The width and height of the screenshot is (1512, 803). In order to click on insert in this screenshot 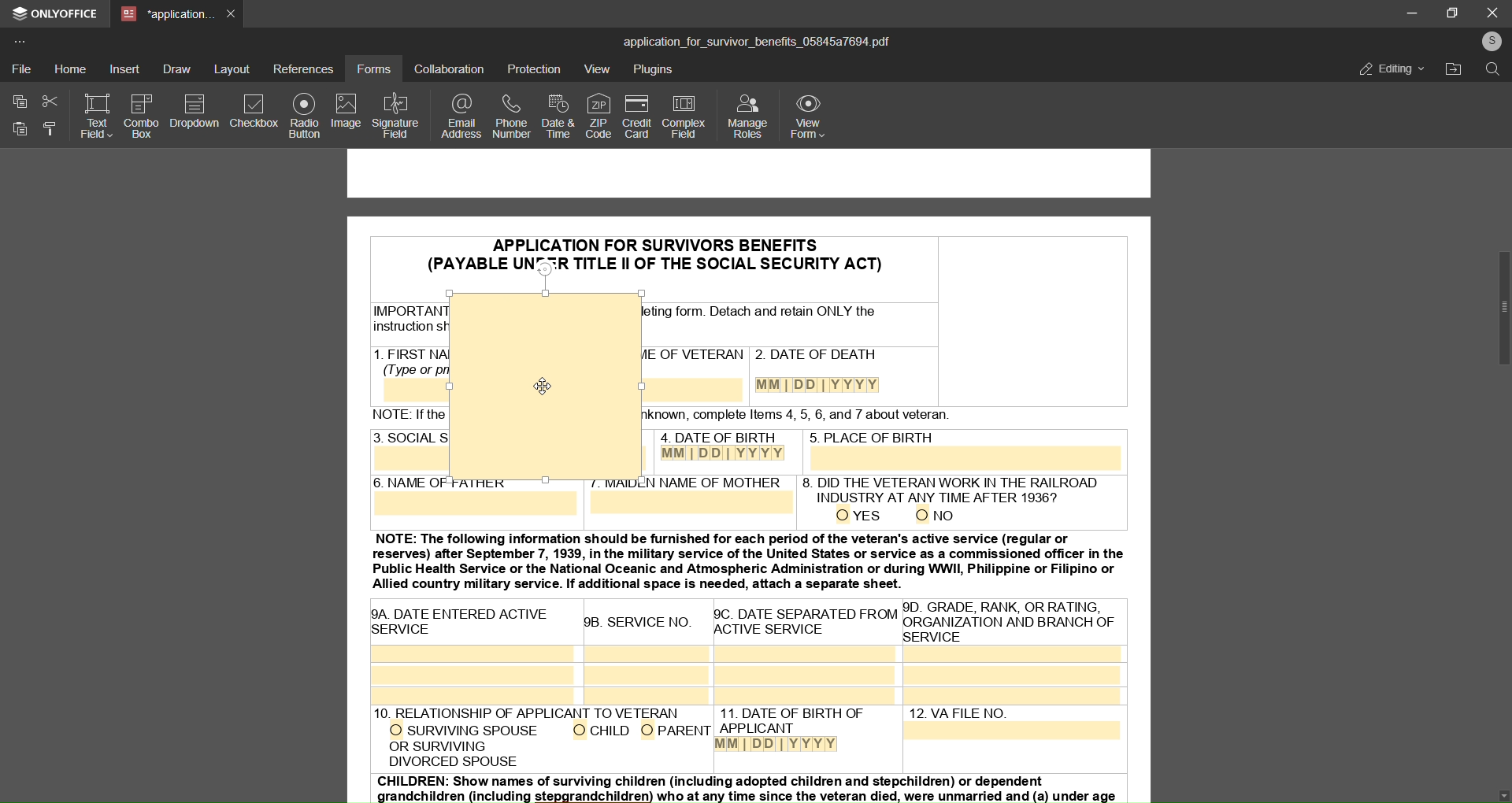, I will do `click(126, 70)`.